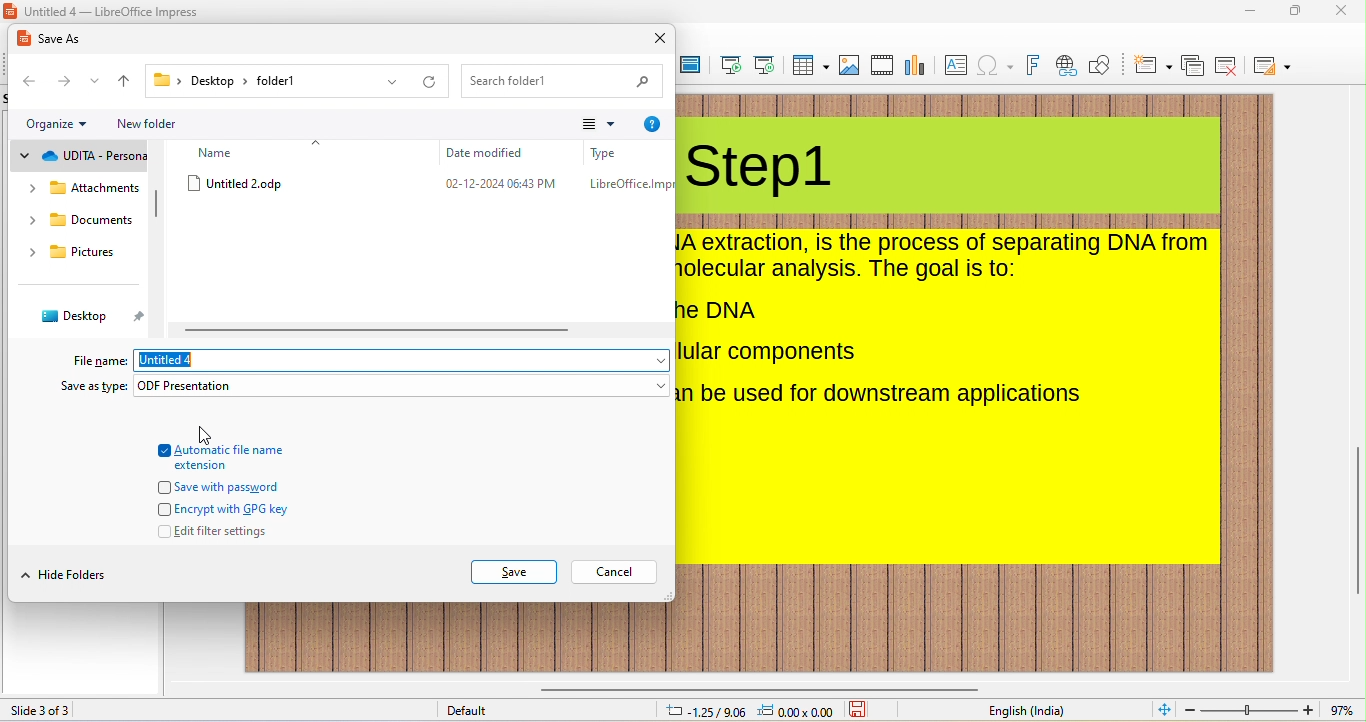 Image resolution: width=1366 pixels, height=722 pixels. Describe the element at coordinates (958, 67) in the screenshot. I see `textbox` at that location.